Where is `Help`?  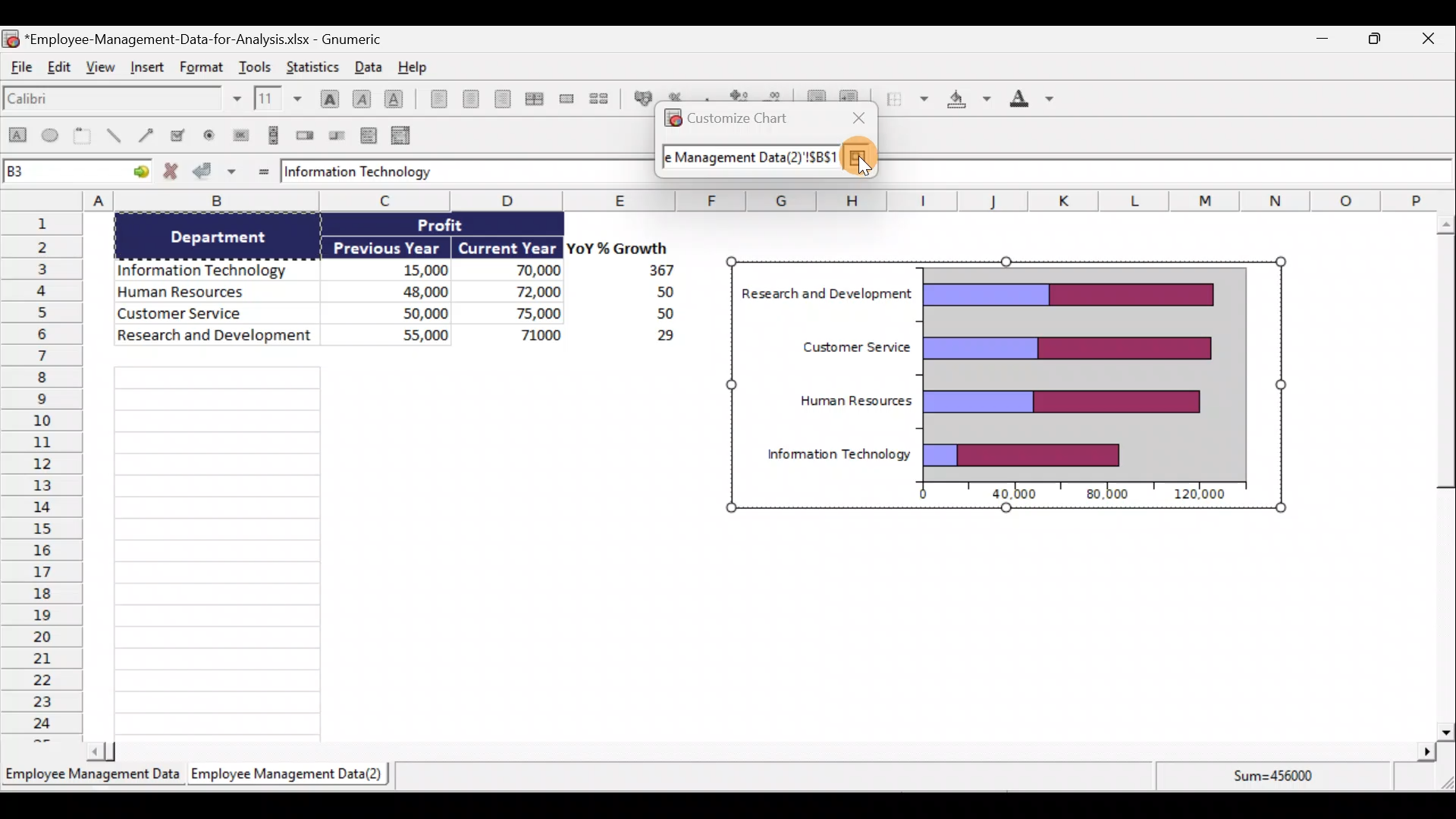
Help is located at coordinates (419, 67).